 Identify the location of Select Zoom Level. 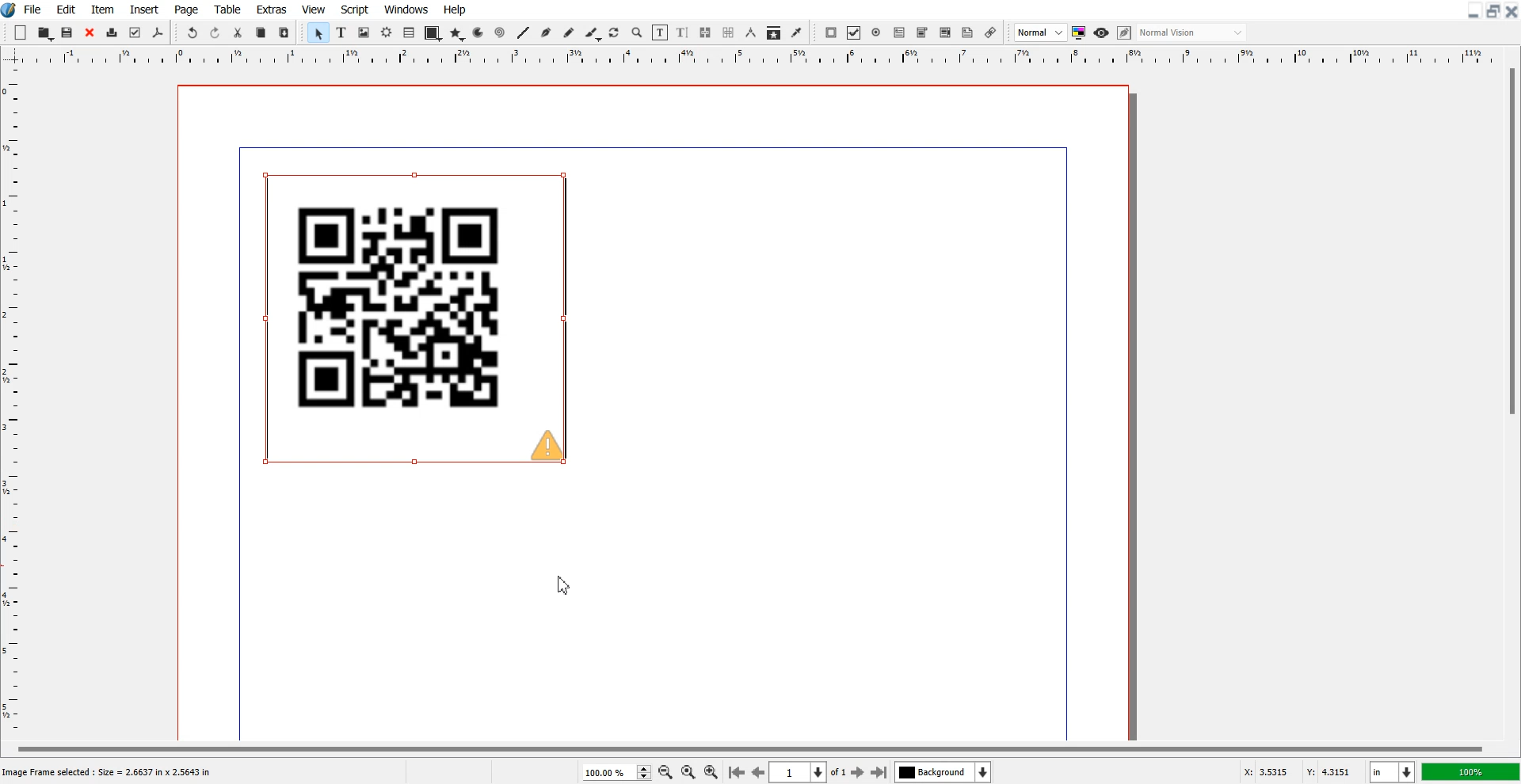
(616, 771).